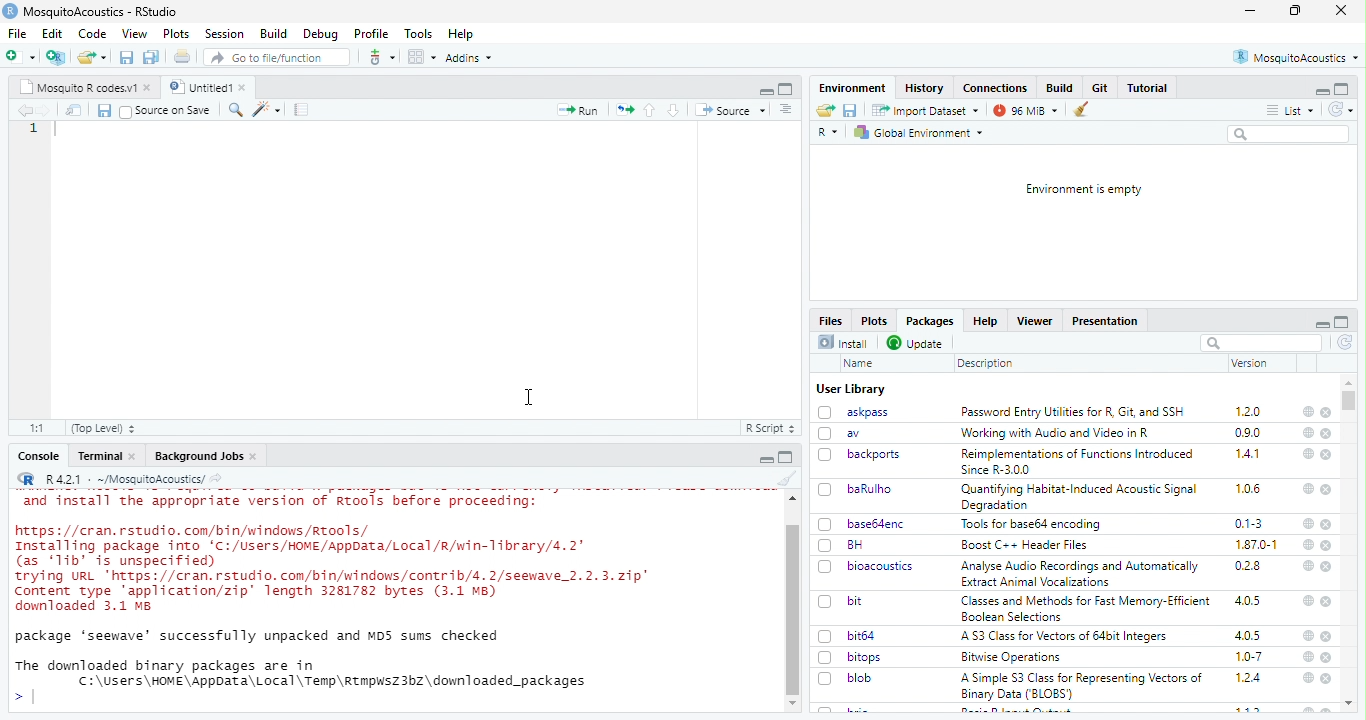  What do you see at coordinates (462, 35) in the screenshot?
I see `Help` at bounding box center [462, 35].